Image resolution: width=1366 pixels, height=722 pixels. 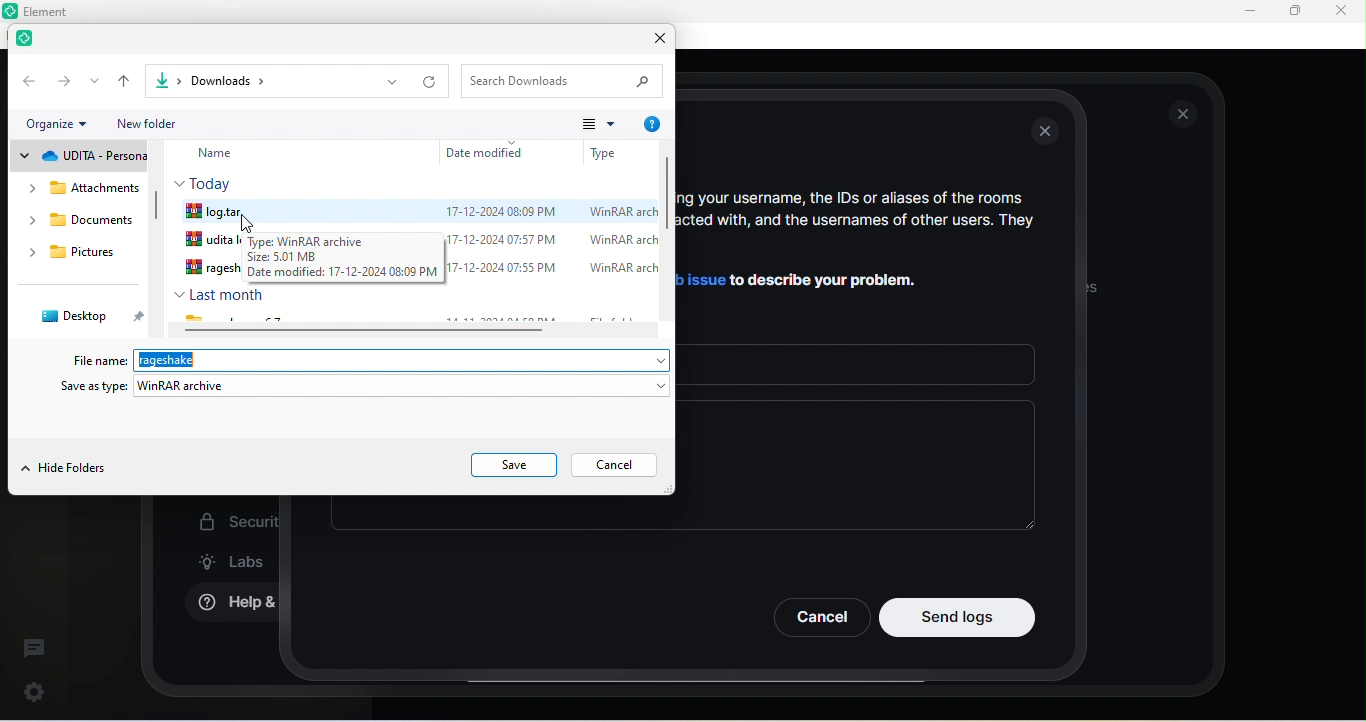 What do you see at coordinates (325, 241) in the screenshot?
I see `Type: WinRAR archive` at bounding box center [325, 241].